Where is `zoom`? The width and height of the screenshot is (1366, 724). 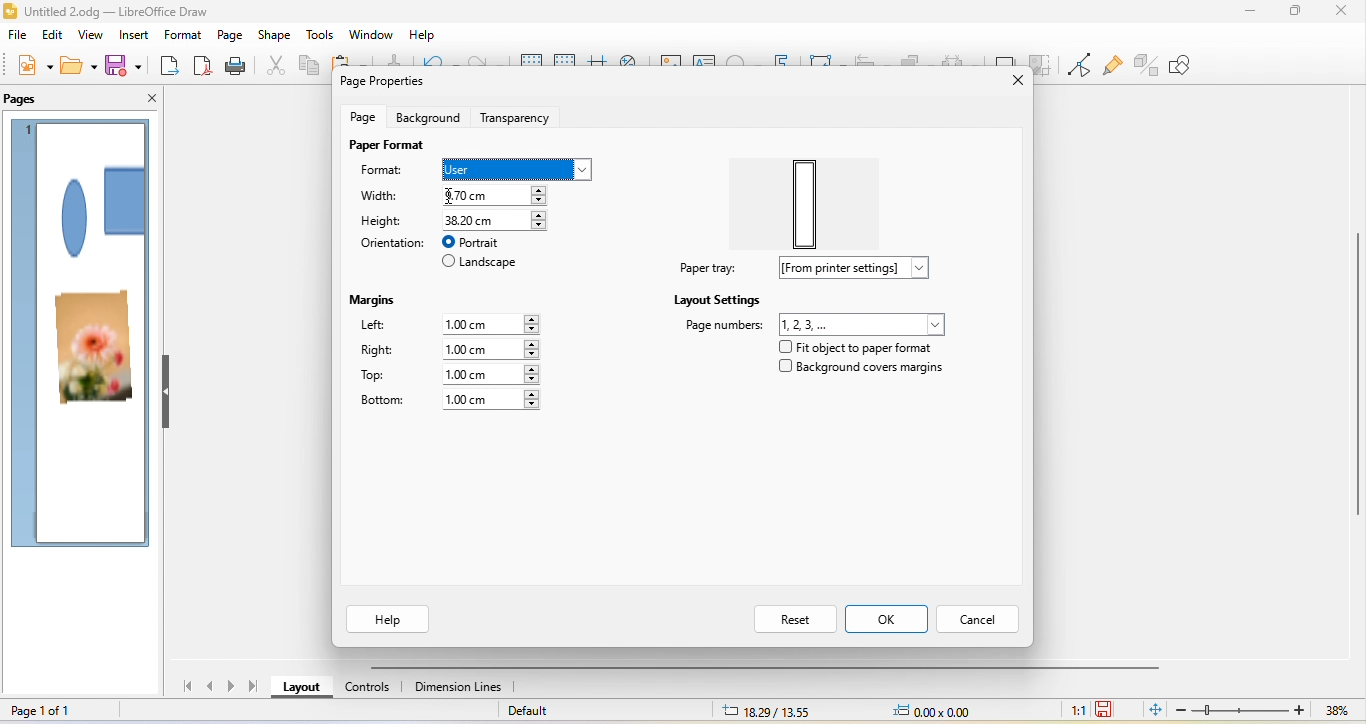 zoom is located at coordinates (1265, 711).